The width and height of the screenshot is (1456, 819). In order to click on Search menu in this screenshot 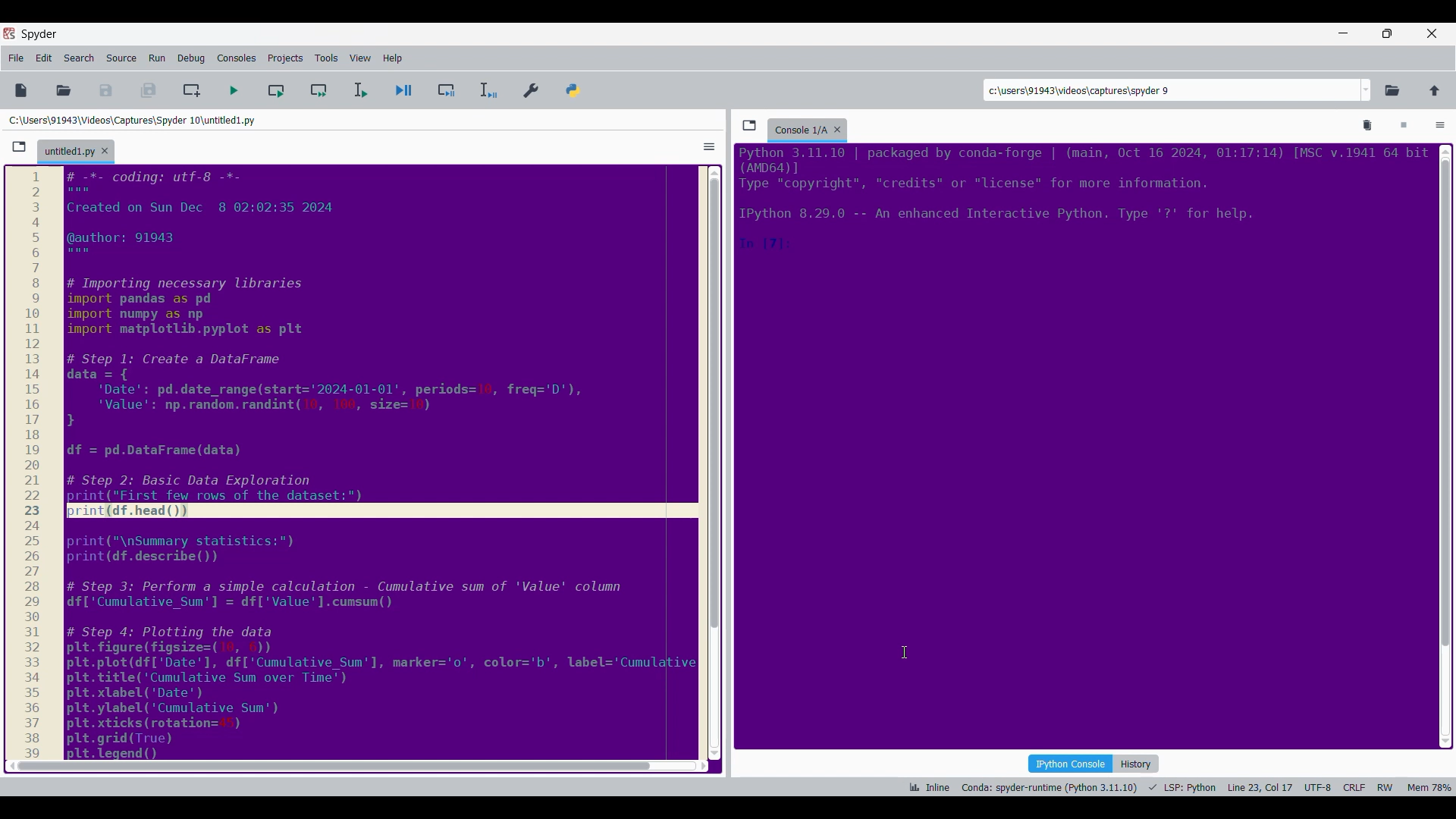, I will do `click(80, 58)`.